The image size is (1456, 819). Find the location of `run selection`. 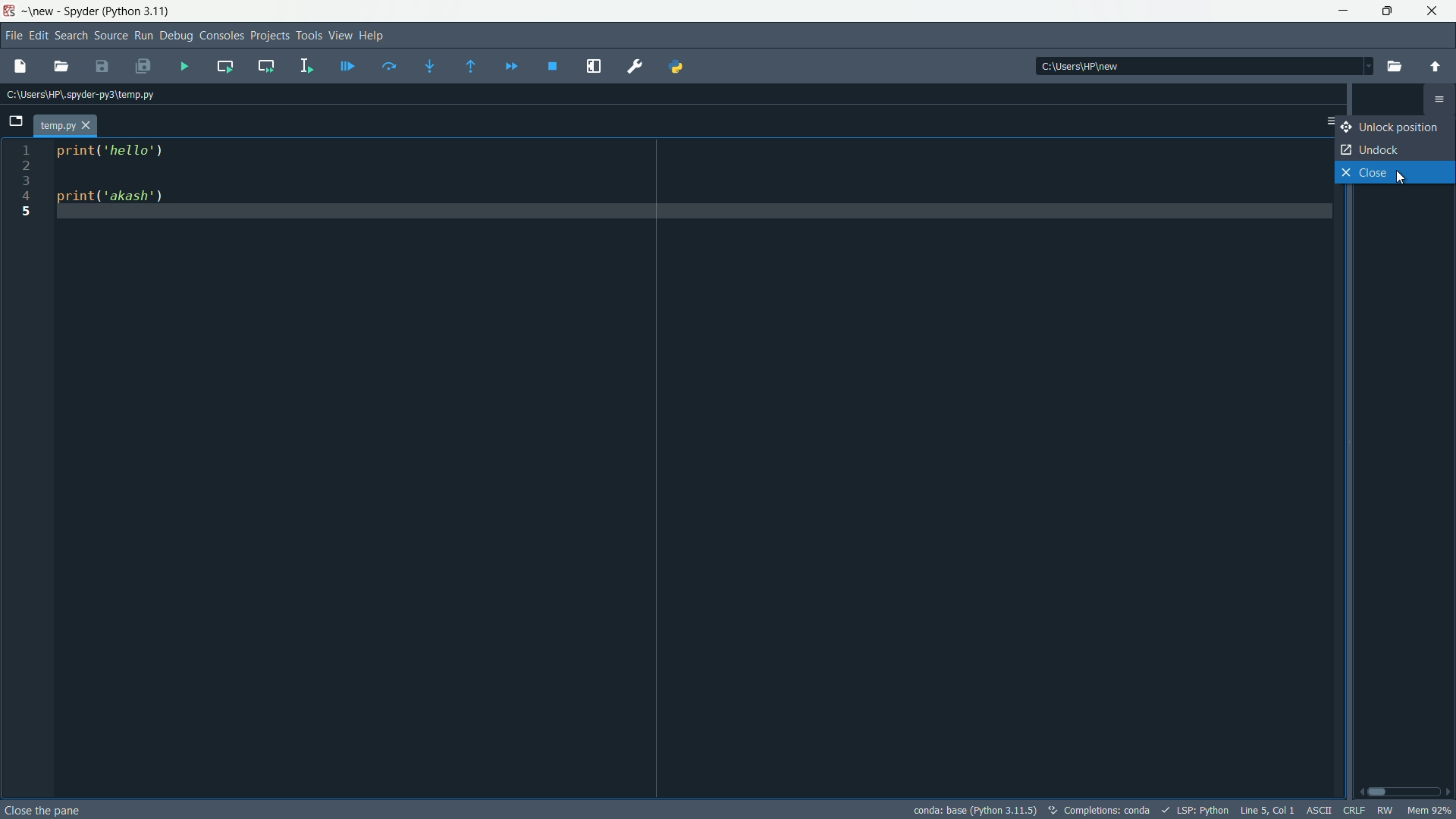

run selection is located at coordinates (303, 65).